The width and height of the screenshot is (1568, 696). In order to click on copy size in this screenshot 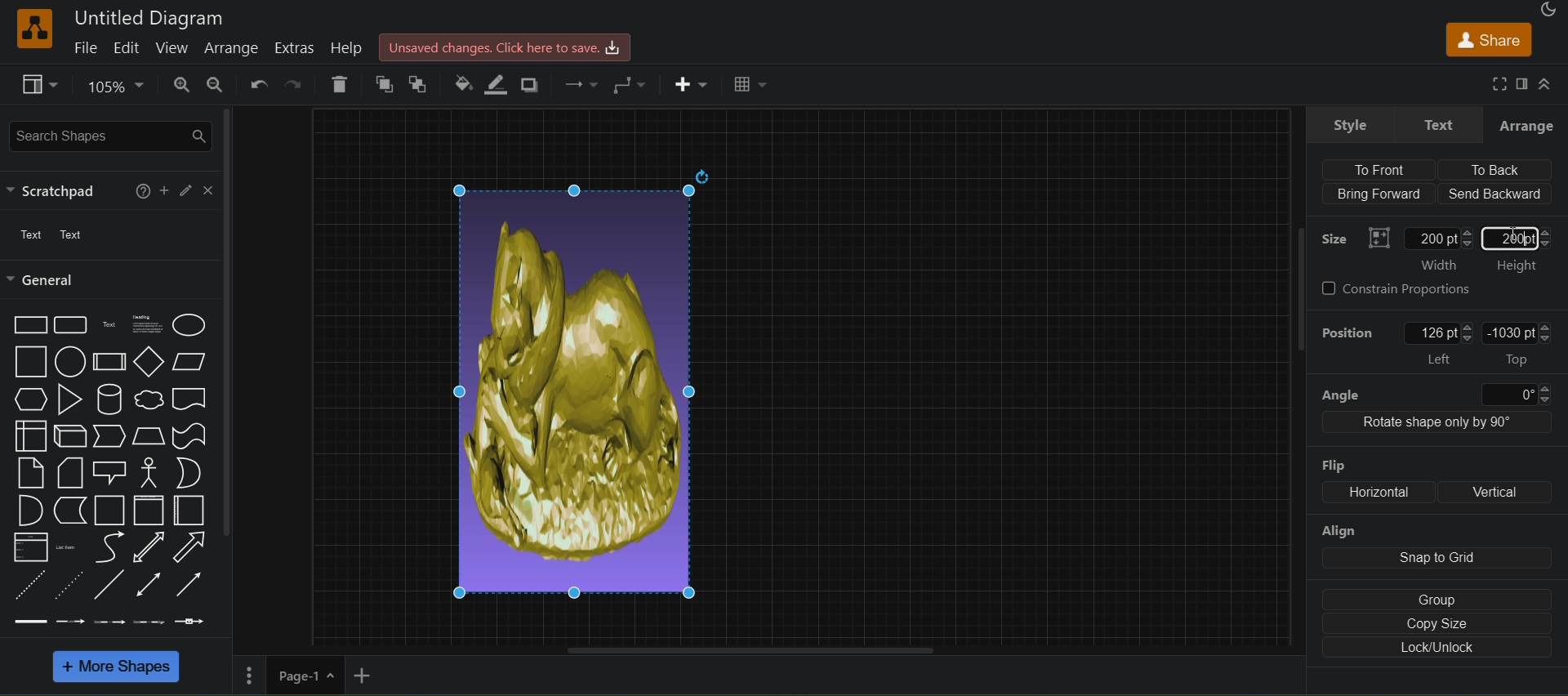, I will do `click(1437, 625)`.